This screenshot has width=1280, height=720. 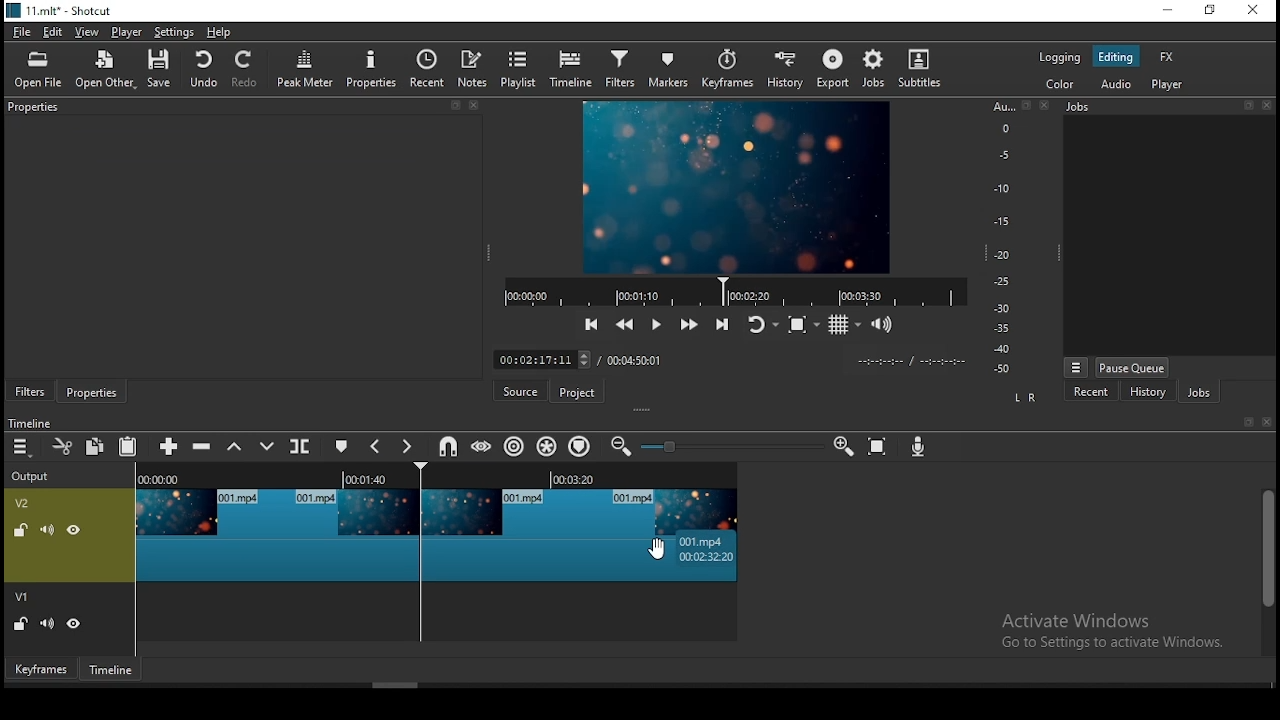 What do you see at coordinates (95, 447) in the screenshot?
I see `copy` at bounding box center [95, 447].